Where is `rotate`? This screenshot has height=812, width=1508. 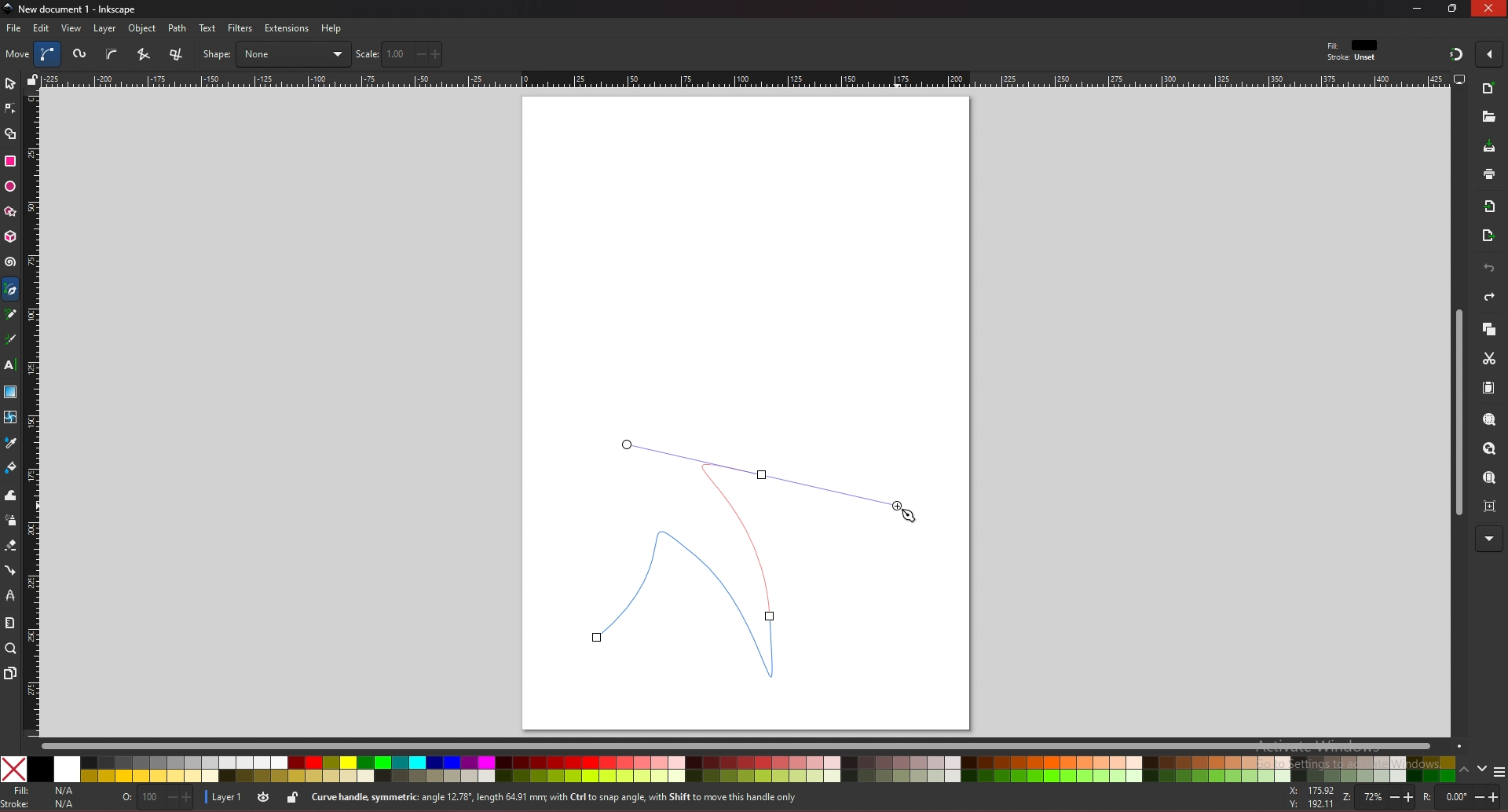
rotate is located at coordinates (1460, 798).